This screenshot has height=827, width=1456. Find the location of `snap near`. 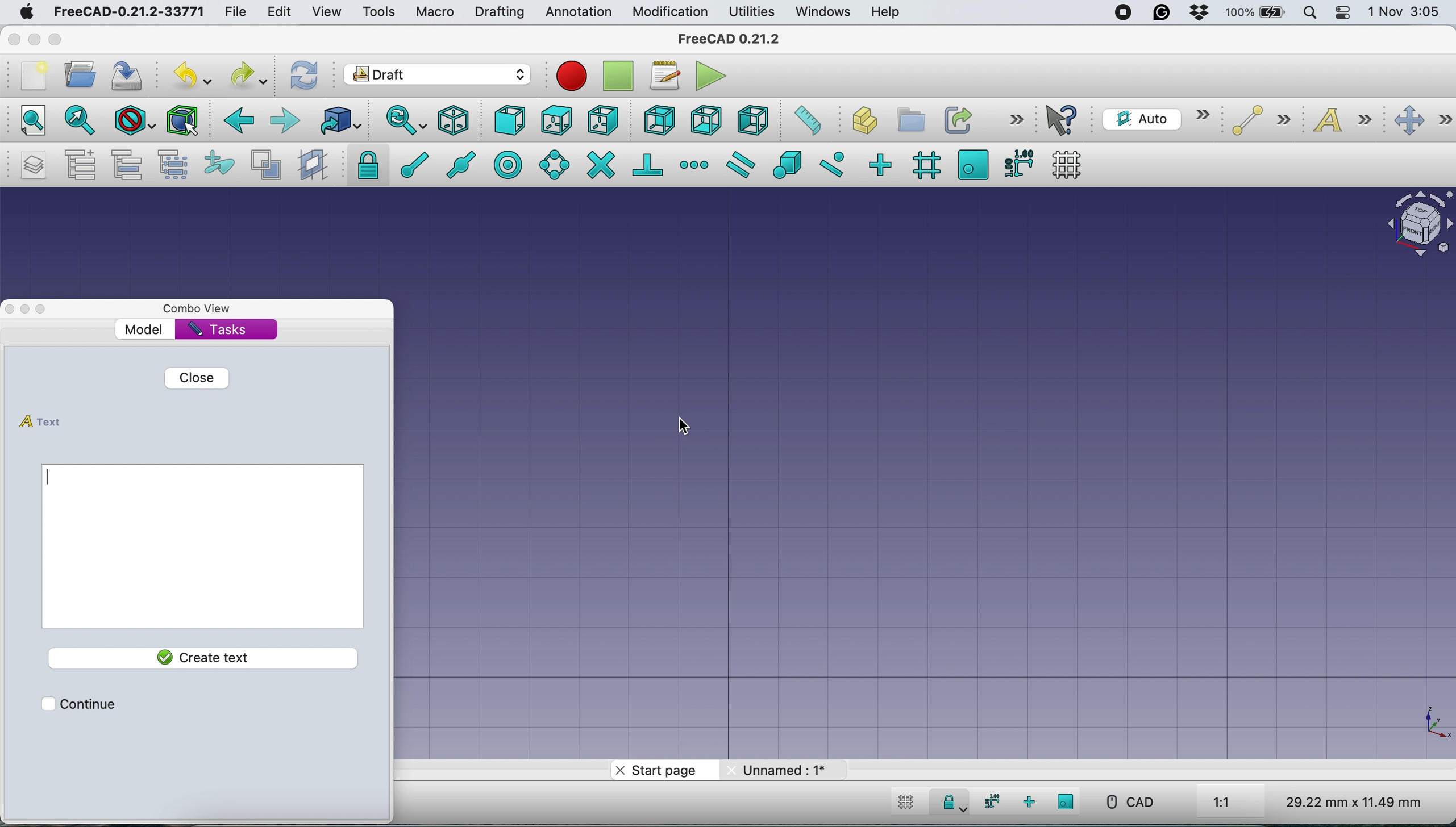

snap near is located at coordinates (830, 165).